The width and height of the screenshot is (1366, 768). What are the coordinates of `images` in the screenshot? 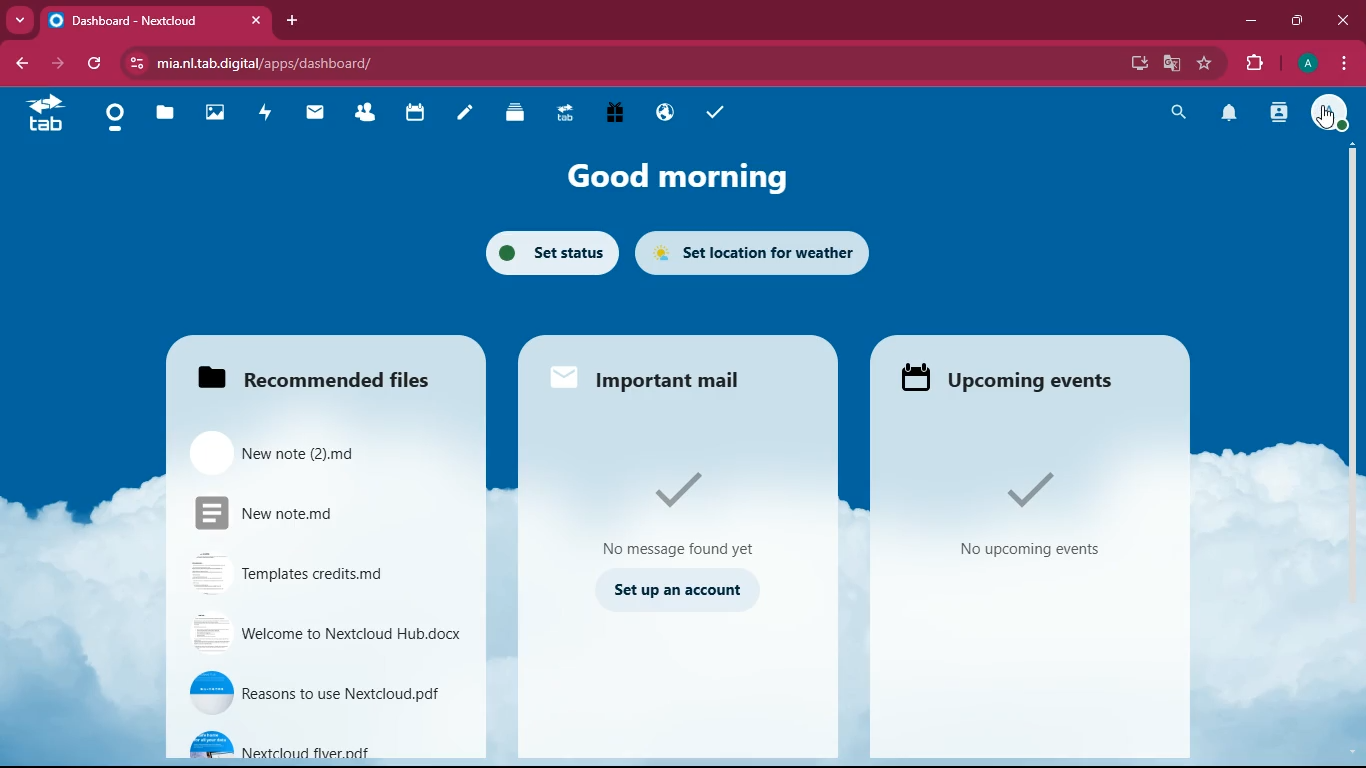 It's located at (213, 114).